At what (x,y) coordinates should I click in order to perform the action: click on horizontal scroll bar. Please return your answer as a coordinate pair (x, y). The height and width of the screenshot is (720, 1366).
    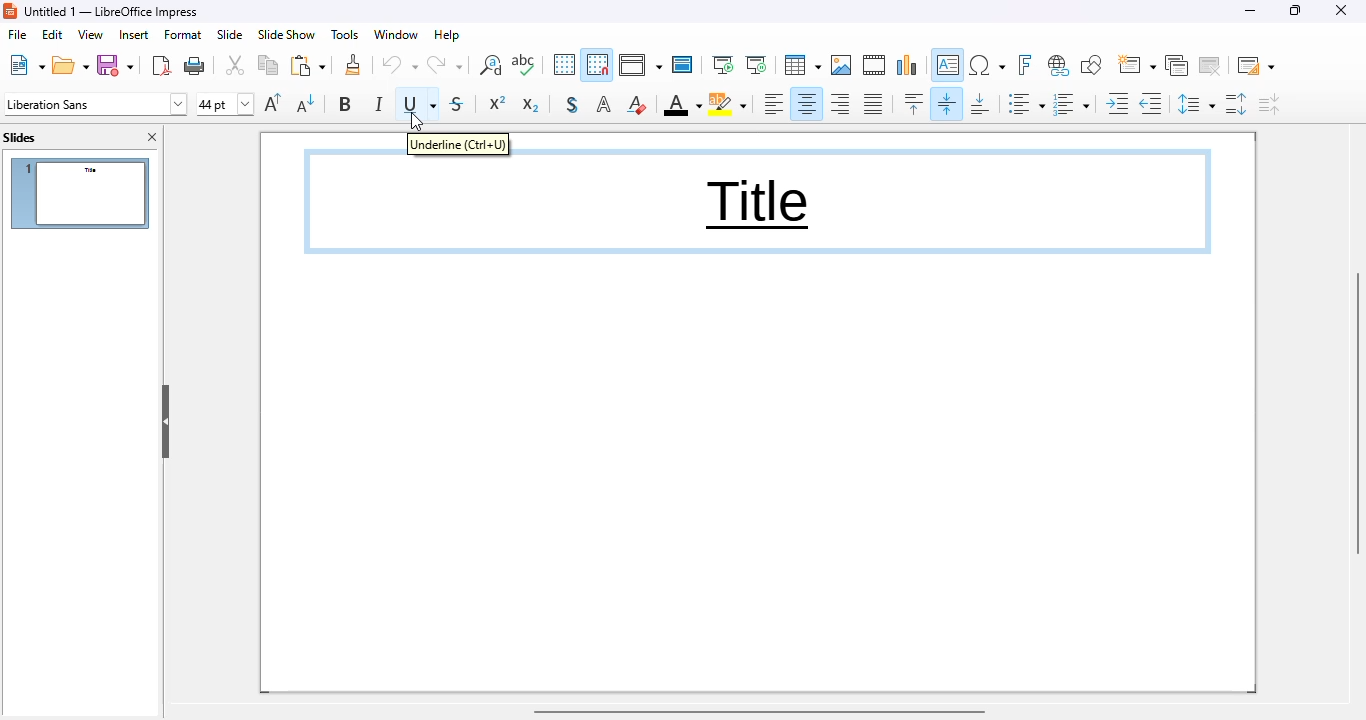
    Looking at the image, I should click on (760, 711).